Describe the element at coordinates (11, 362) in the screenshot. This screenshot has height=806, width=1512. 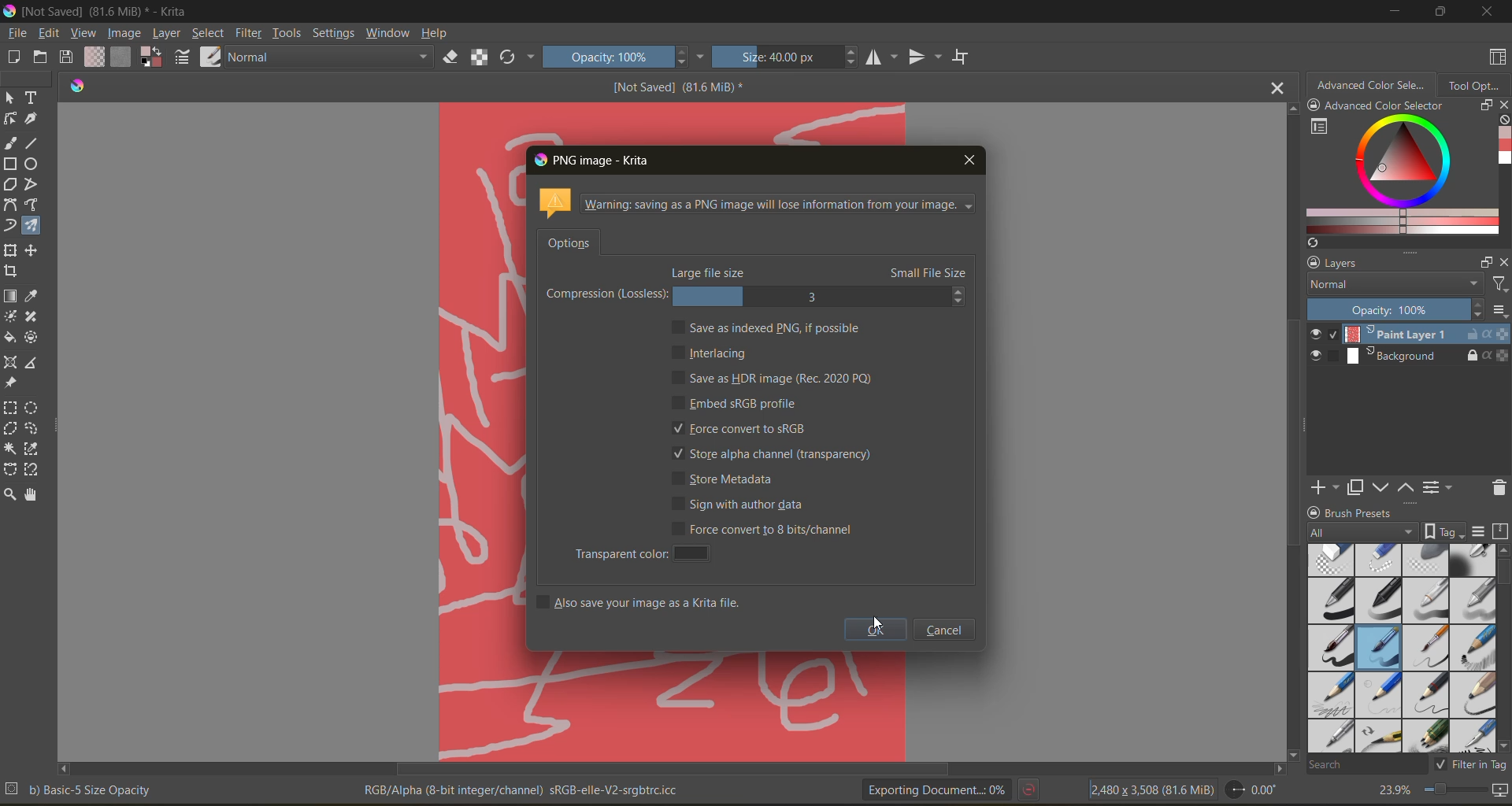
I see `tool` at that location.